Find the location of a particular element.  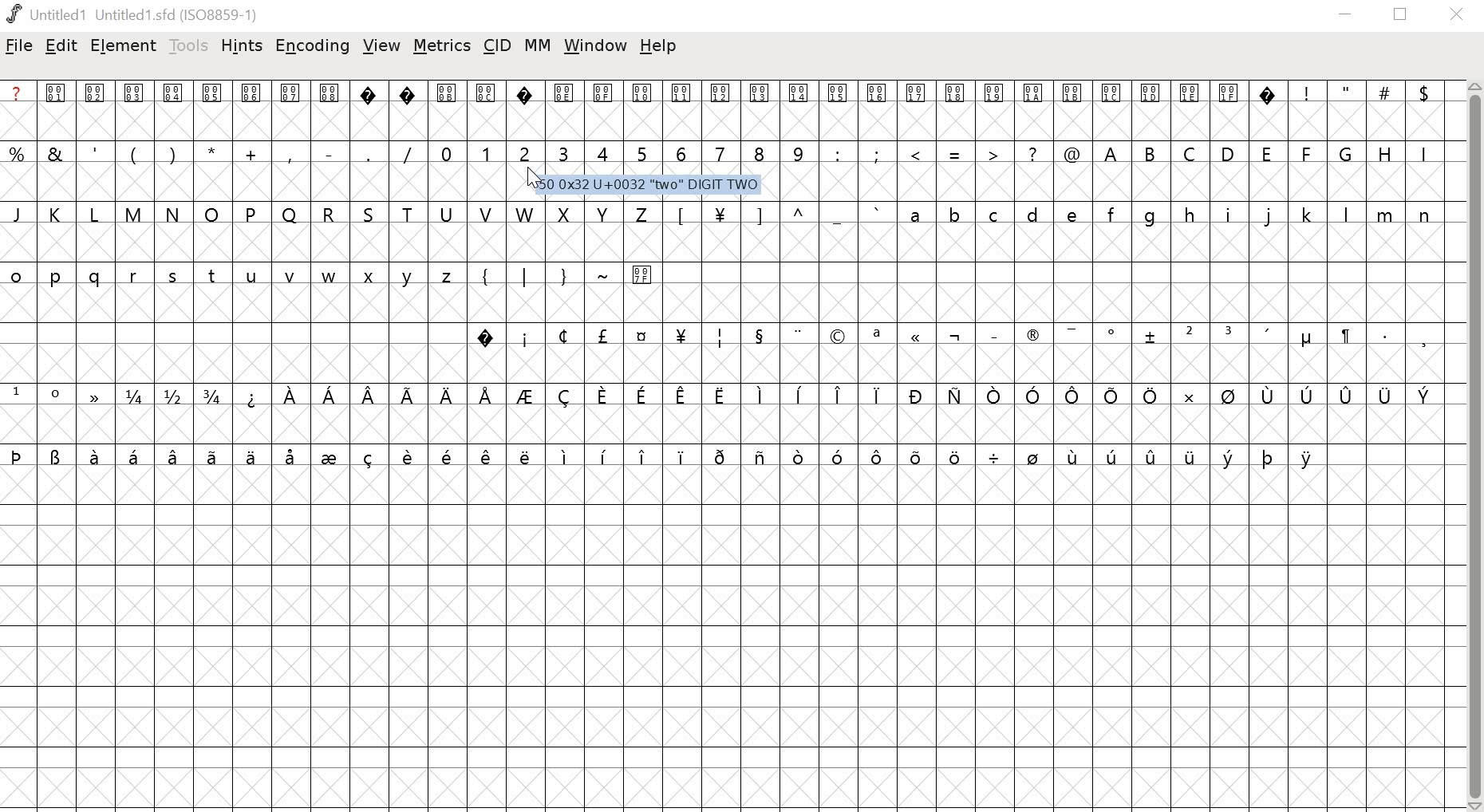

help is located at coordinates (658, 48).